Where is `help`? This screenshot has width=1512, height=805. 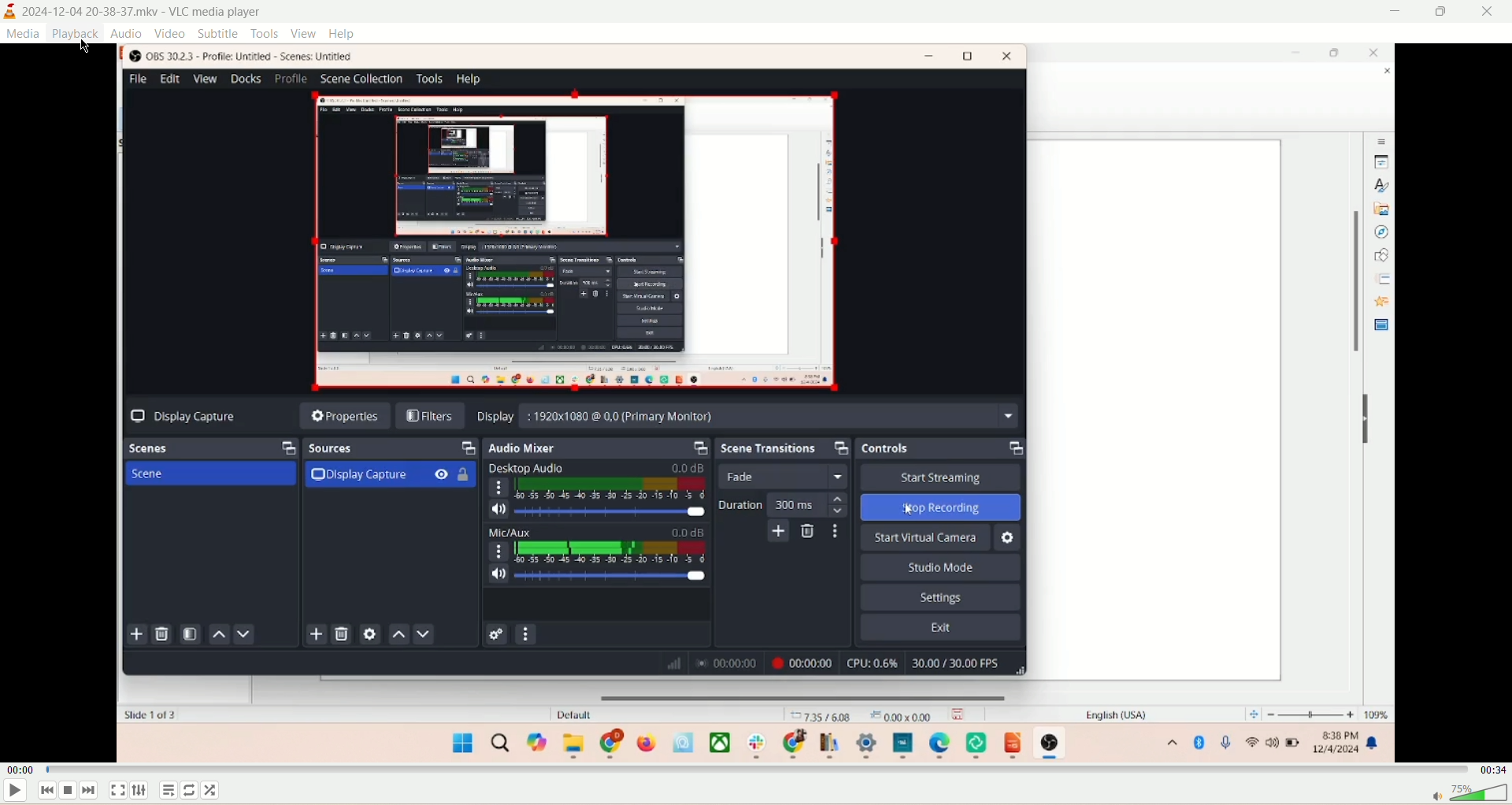 help is located at coordinates (343, 34).